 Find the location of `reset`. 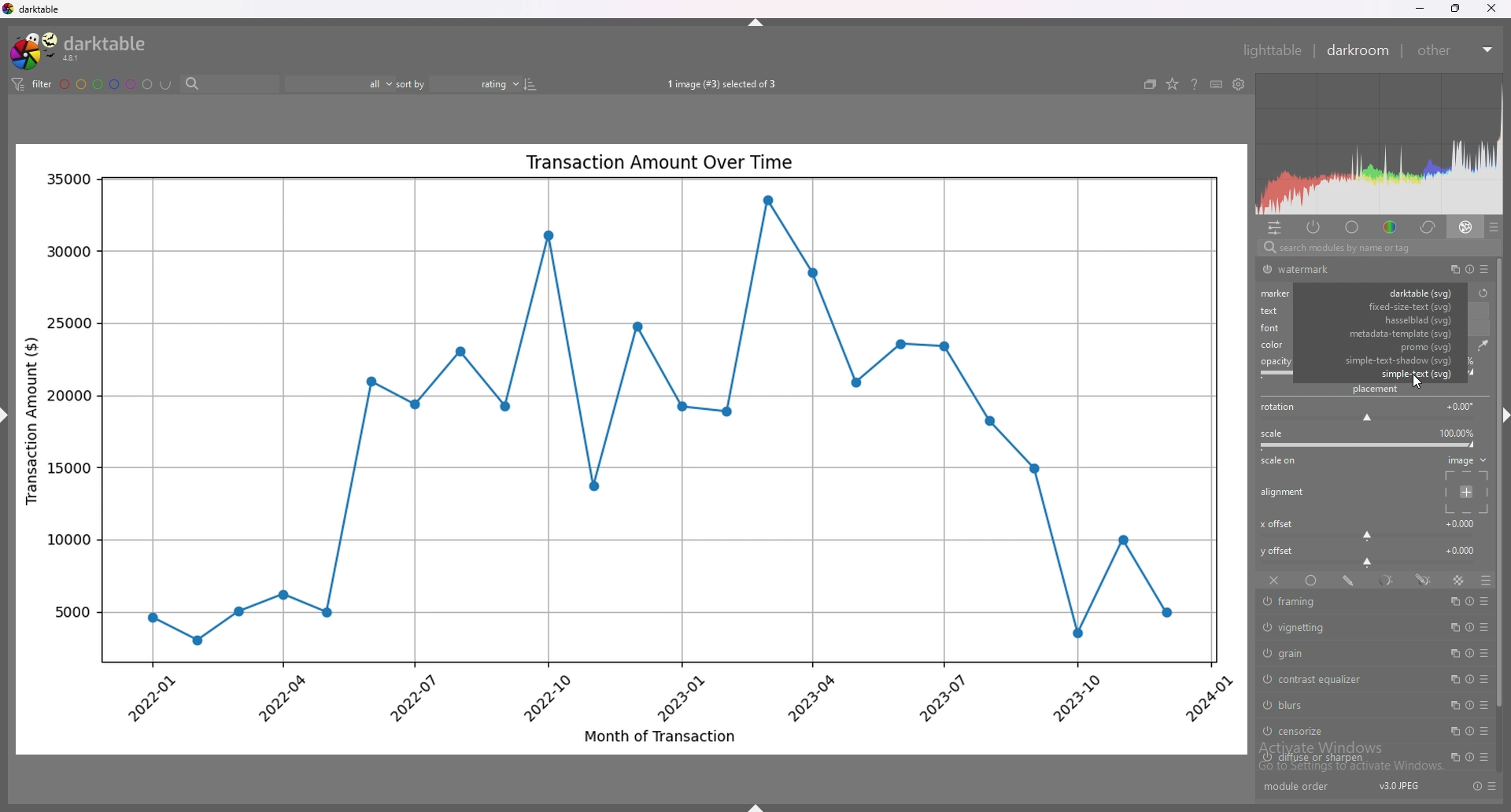

reset is located at coordinates (1468, 269).